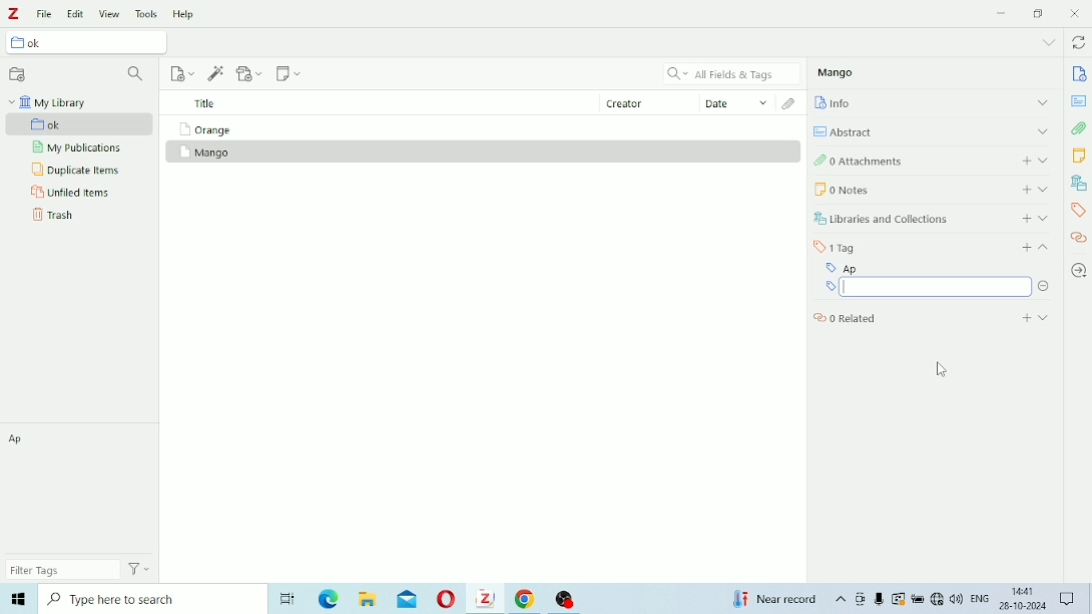 Image resolution: width=1092 pixels, height=614 pixels. I want to click on Libraries and Collections, so click(1078, 183).